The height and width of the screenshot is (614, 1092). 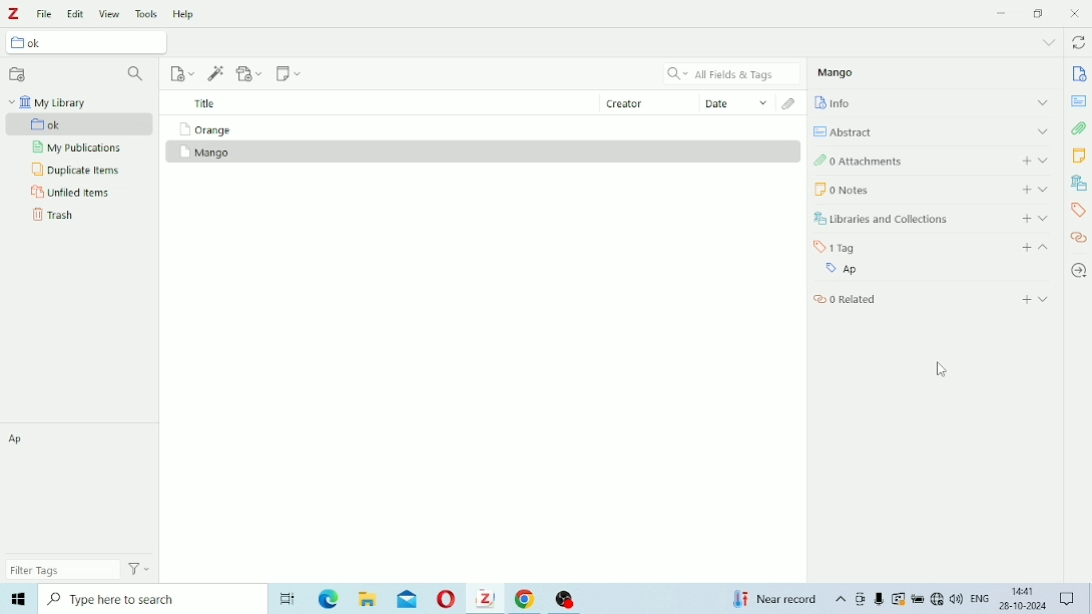 I want to click on Notes, so click(x=932, y=189).